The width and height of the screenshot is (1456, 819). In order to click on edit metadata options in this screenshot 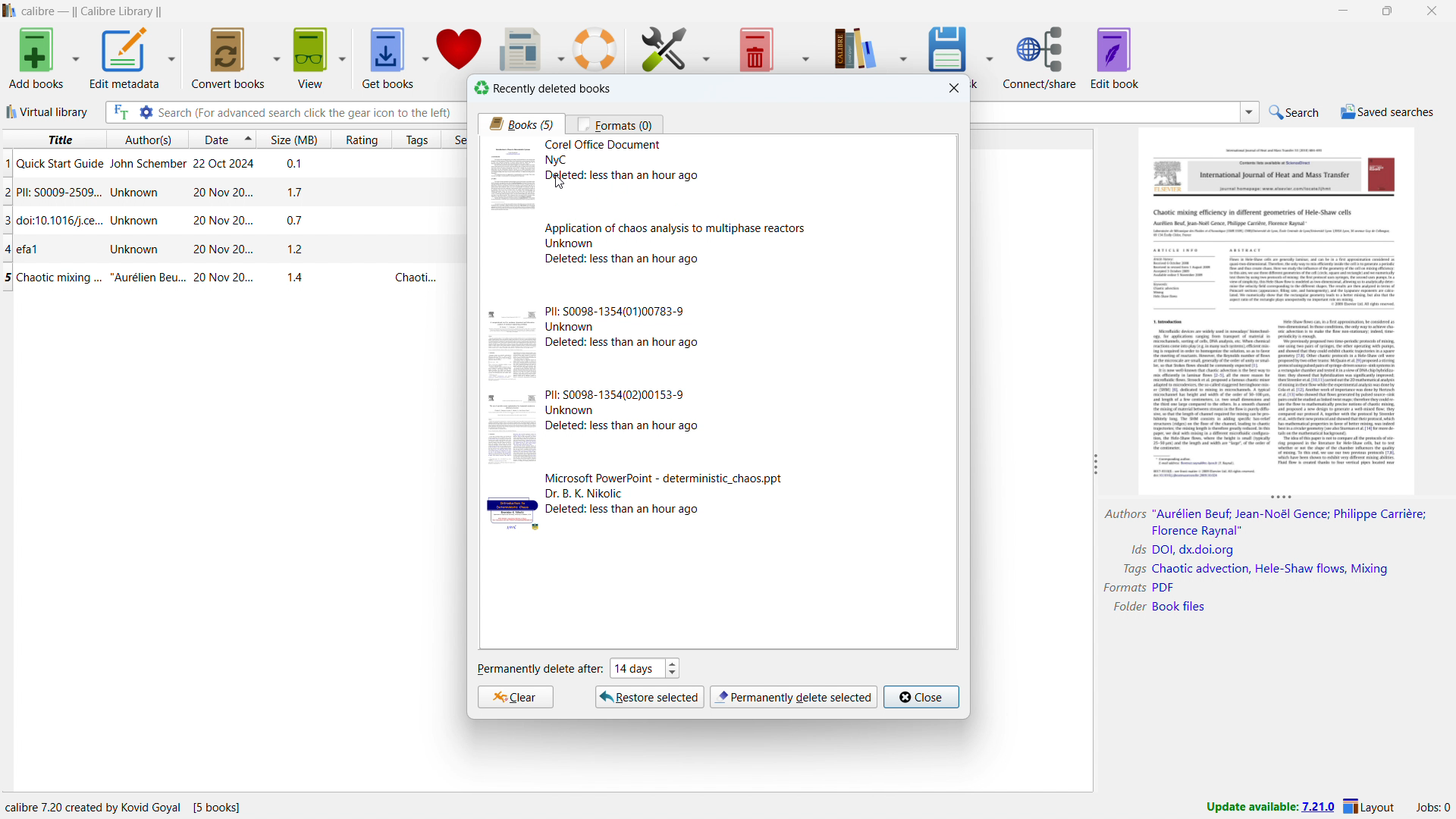, I will do `click(171, 58)`.